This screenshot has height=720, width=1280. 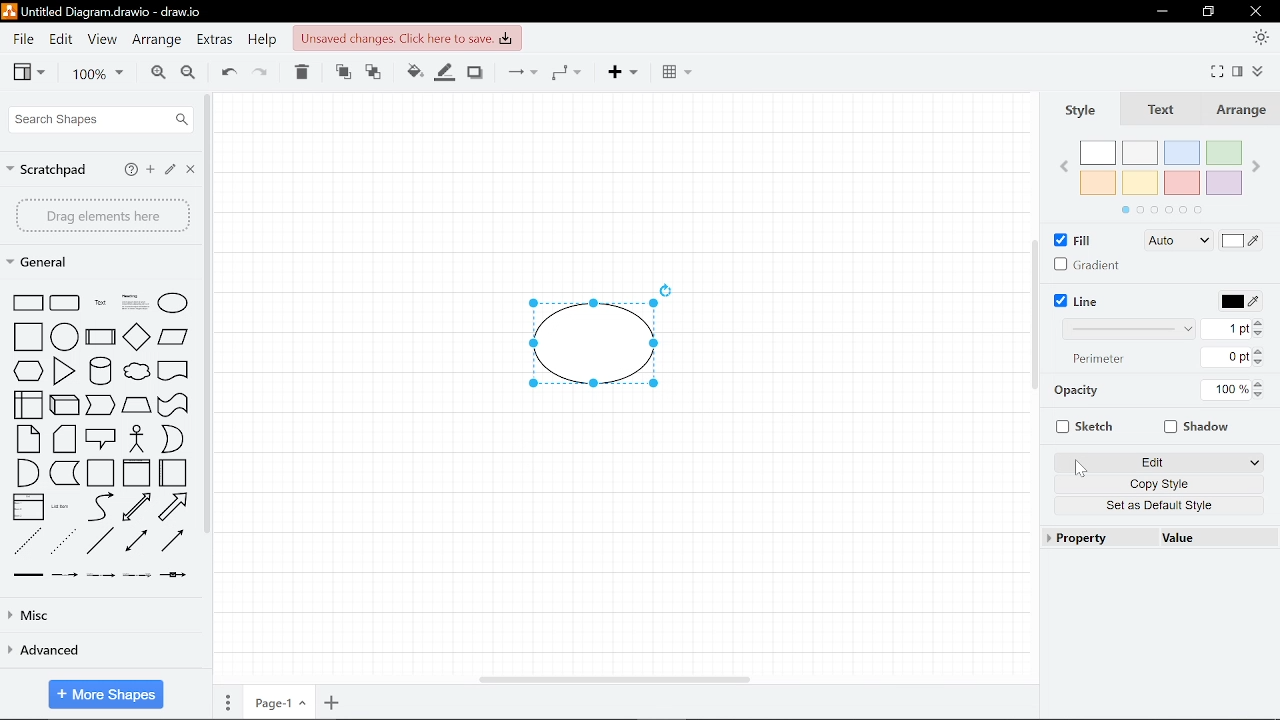 What do you see at coordinates (131, 170) in the screenshot?
I see `help` at bounding box center [131, 170].